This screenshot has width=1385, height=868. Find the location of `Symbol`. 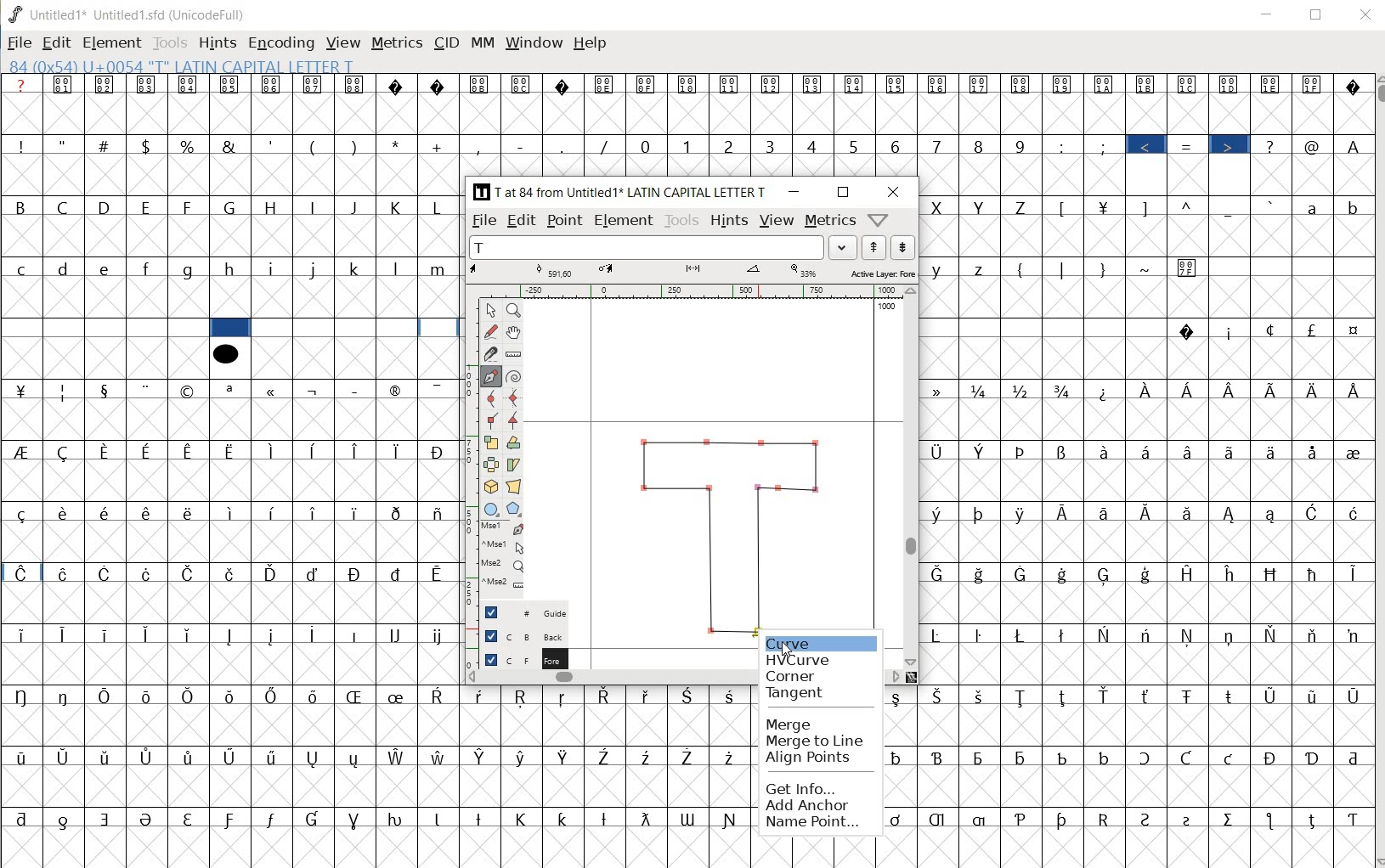

Symbol is located at coordinates (1108, 513).